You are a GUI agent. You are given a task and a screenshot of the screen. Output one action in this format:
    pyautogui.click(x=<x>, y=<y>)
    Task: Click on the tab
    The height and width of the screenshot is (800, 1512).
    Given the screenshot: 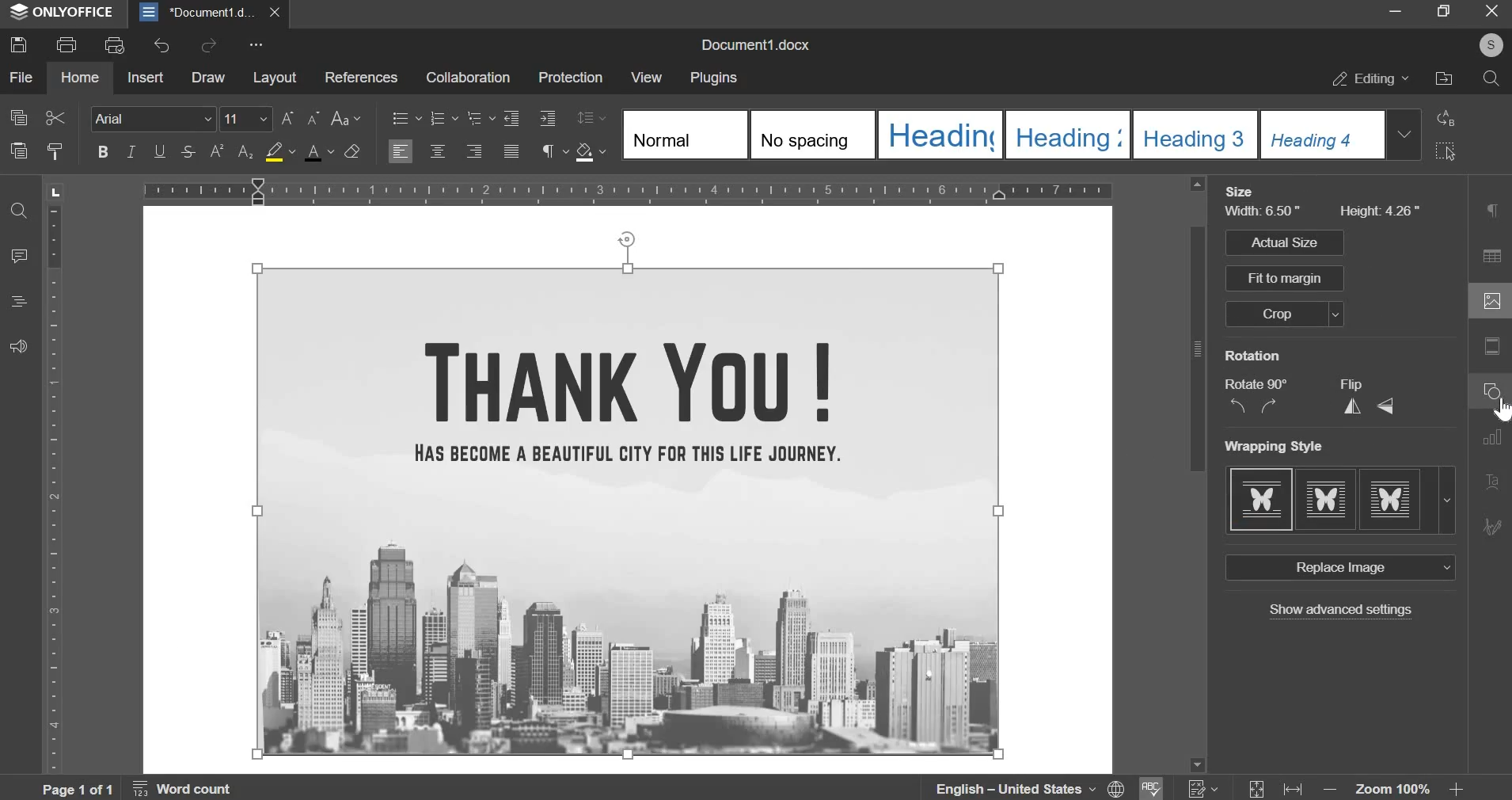 What is the action you would take?
    pyautogui.click(x=54, y=195)
    